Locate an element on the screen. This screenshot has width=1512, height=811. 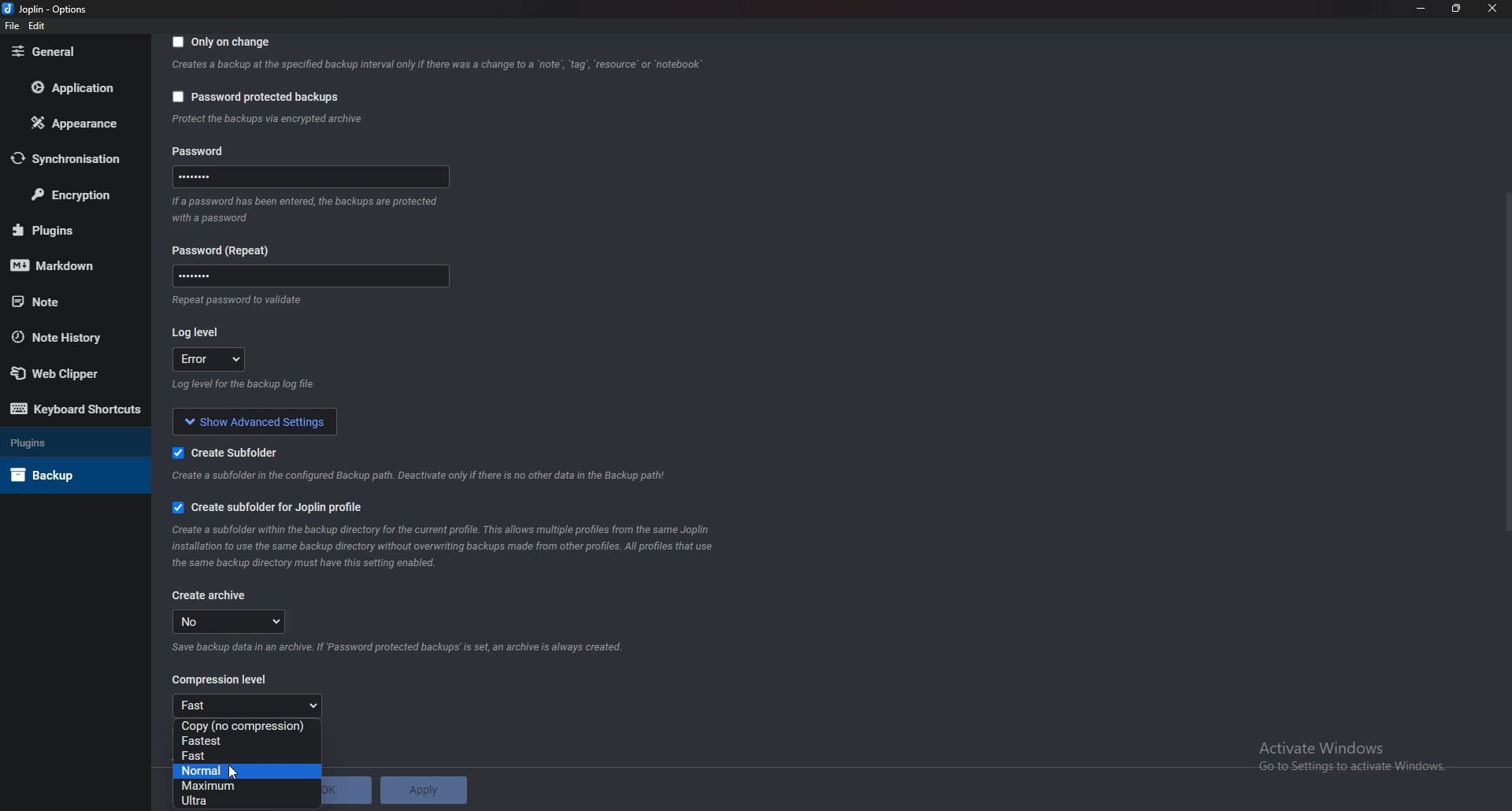
plugins is located at coordinates (66, 229).